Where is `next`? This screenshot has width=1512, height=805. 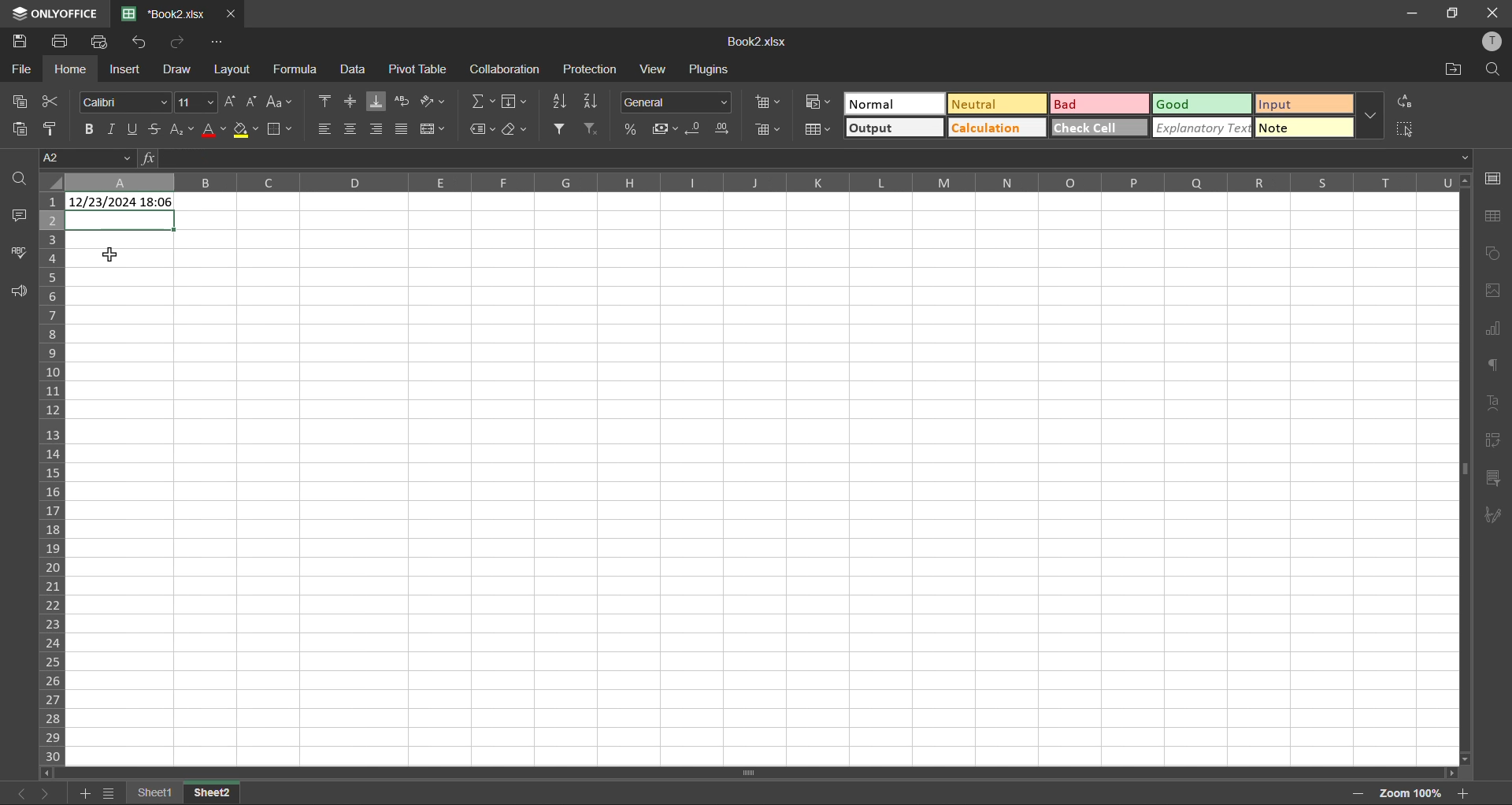 next is located at coordinates (50, 792).